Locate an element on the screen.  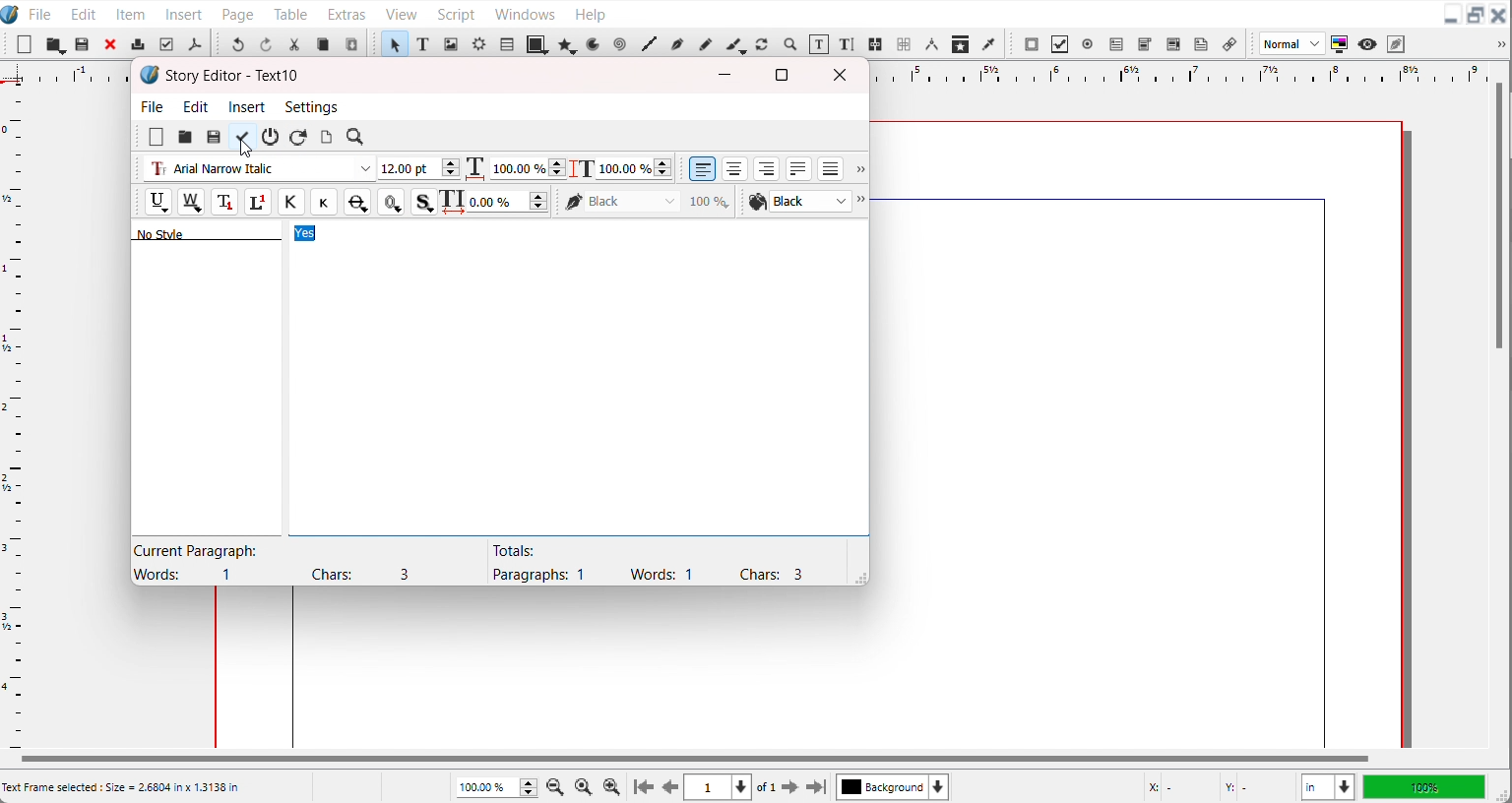
Link text frame is located at coordinates (876, 45).